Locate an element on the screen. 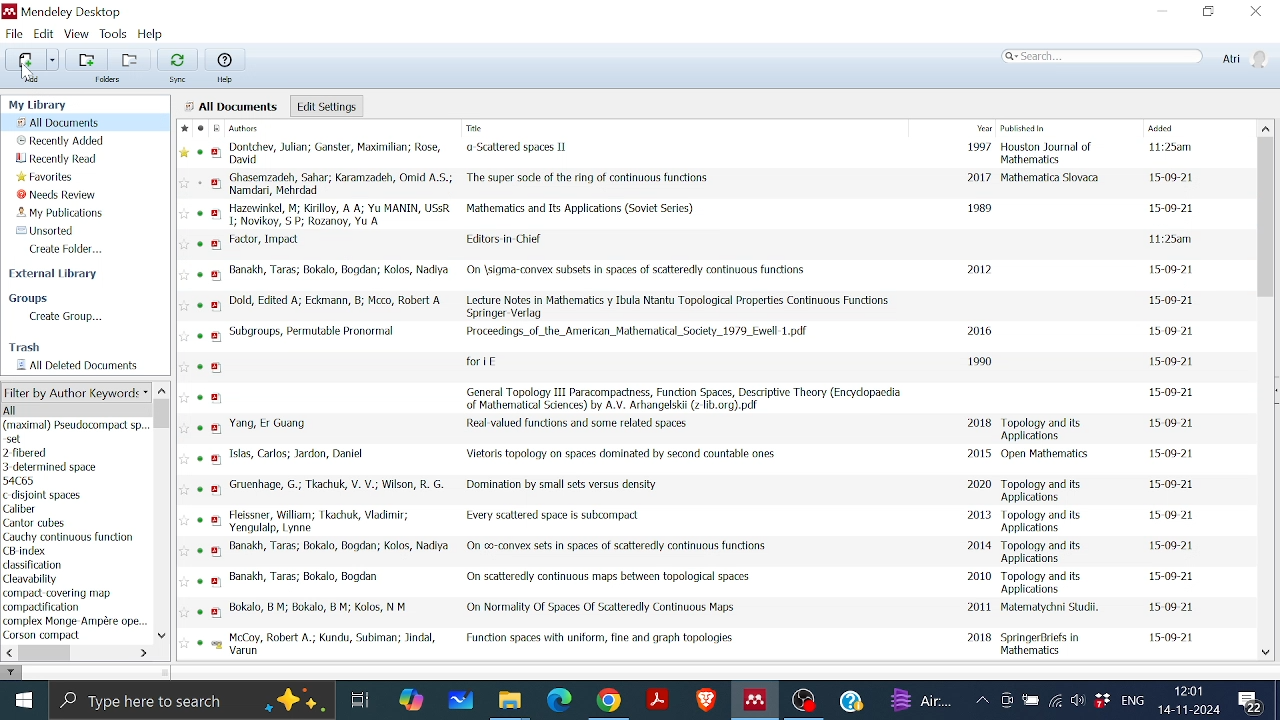 The width and height of the screenshot is (1280, 720). pdf is located at coordinates (220, 368).